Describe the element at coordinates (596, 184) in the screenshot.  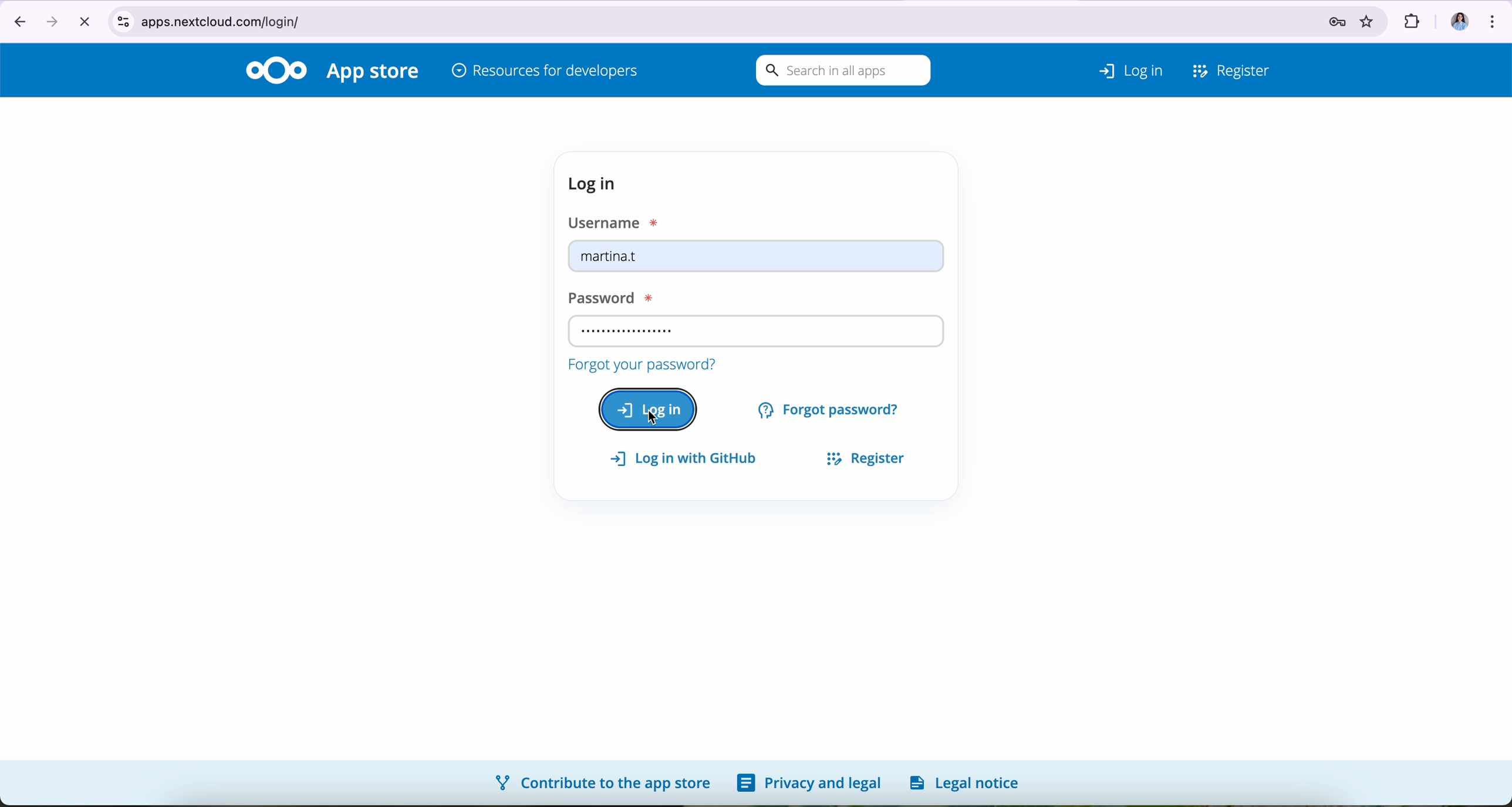
I see `log in` at that location.